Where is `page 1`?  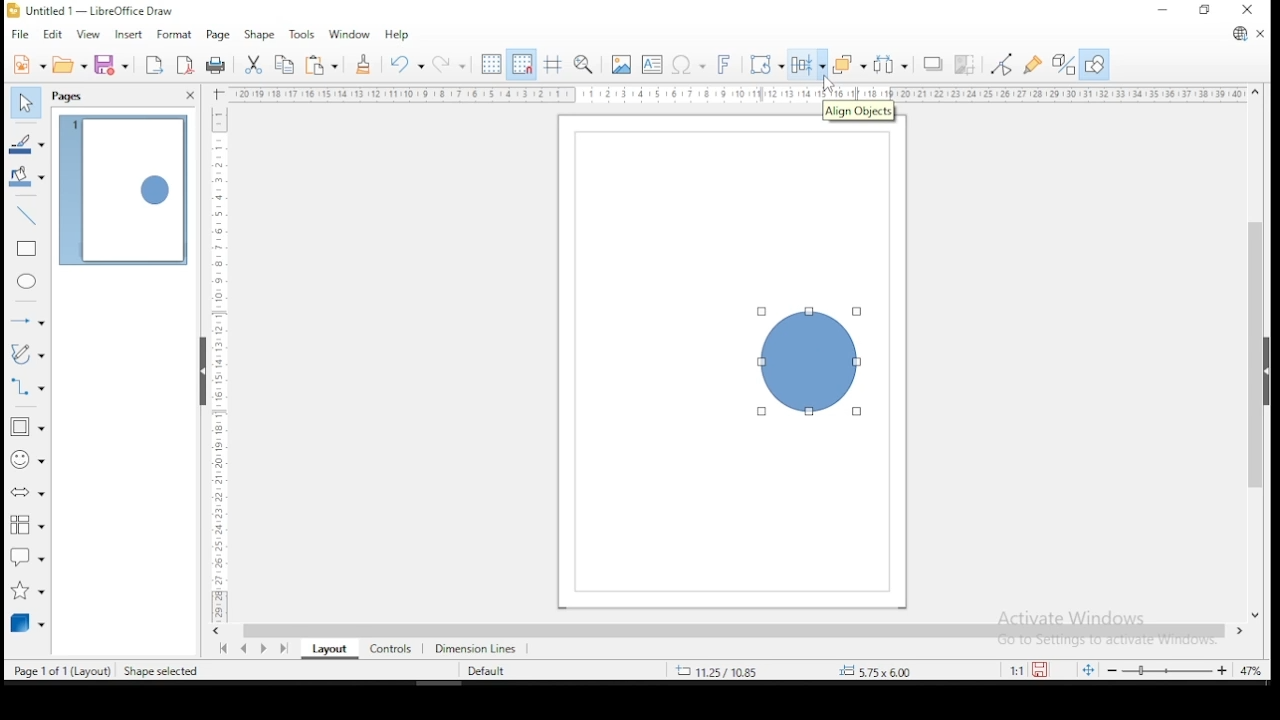
page 1 is located at coordinates (124, 191).